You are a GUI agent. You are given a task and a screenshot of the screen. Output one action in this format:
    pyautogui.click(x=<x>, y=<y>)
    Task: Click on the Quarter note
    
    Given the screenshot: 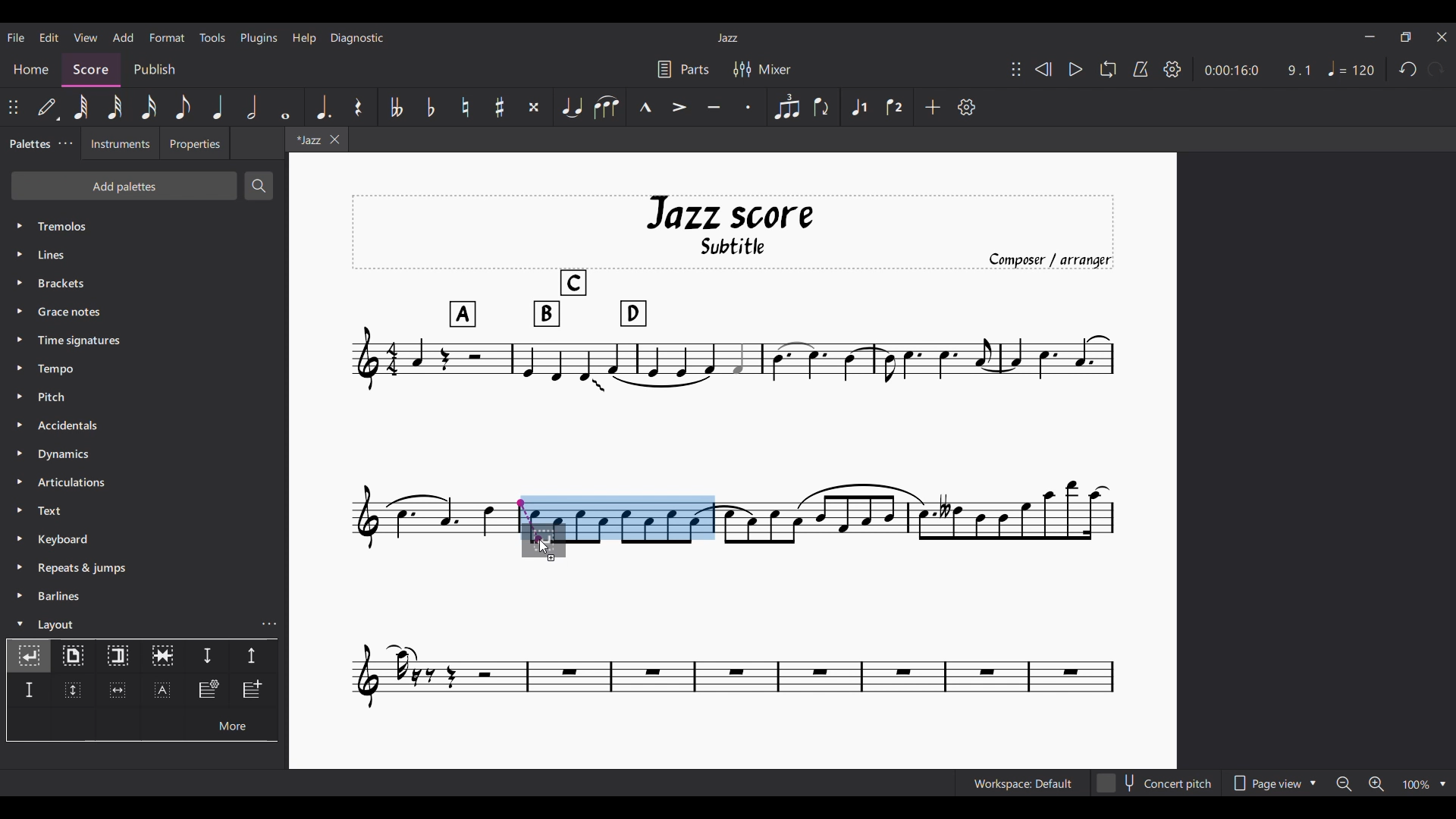 What is the action you would take?
    pyautogui.click(x=218, y=107)
    